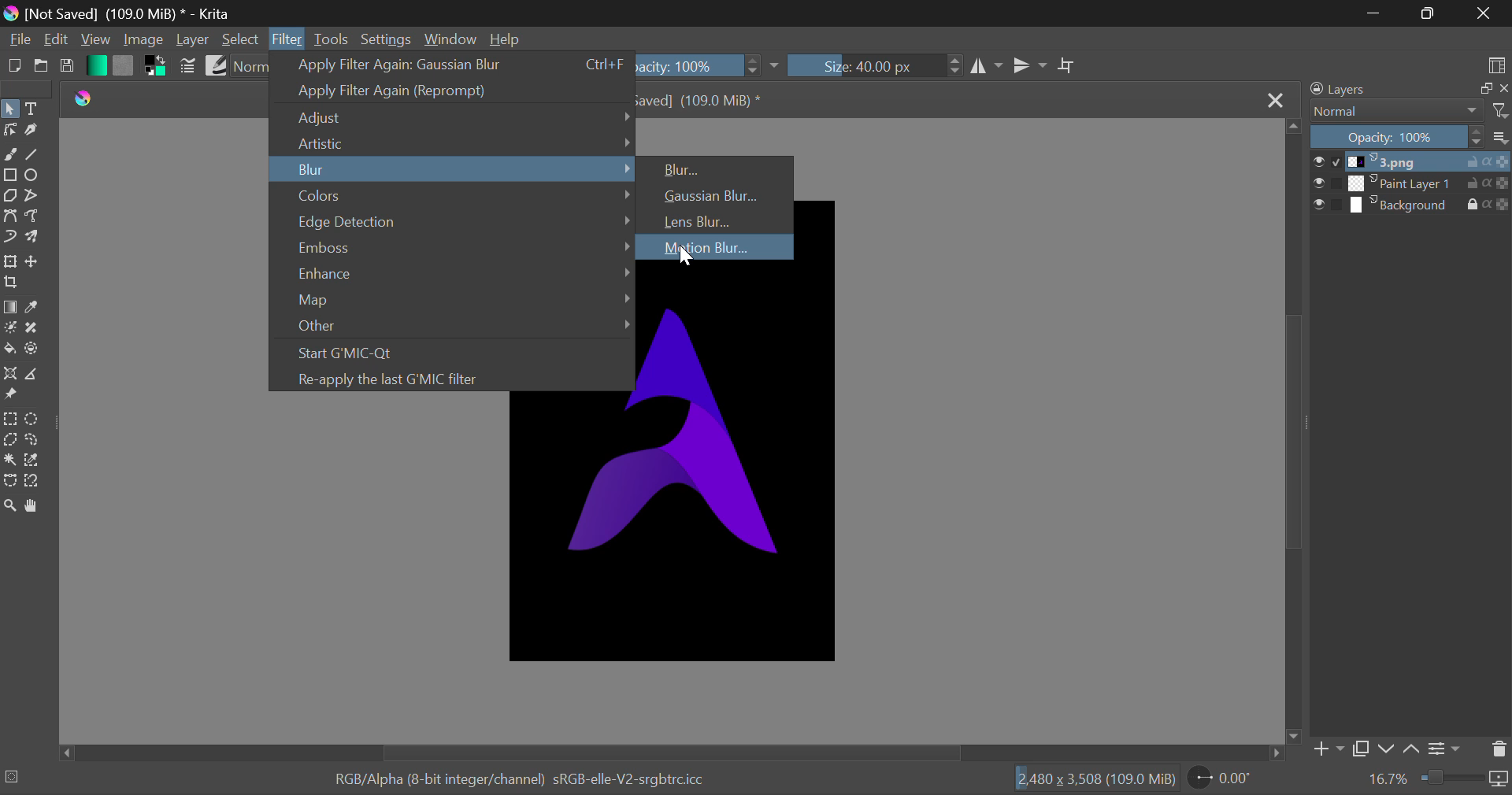  I want to click on Start GMIC-Qt, so click(449, 350).